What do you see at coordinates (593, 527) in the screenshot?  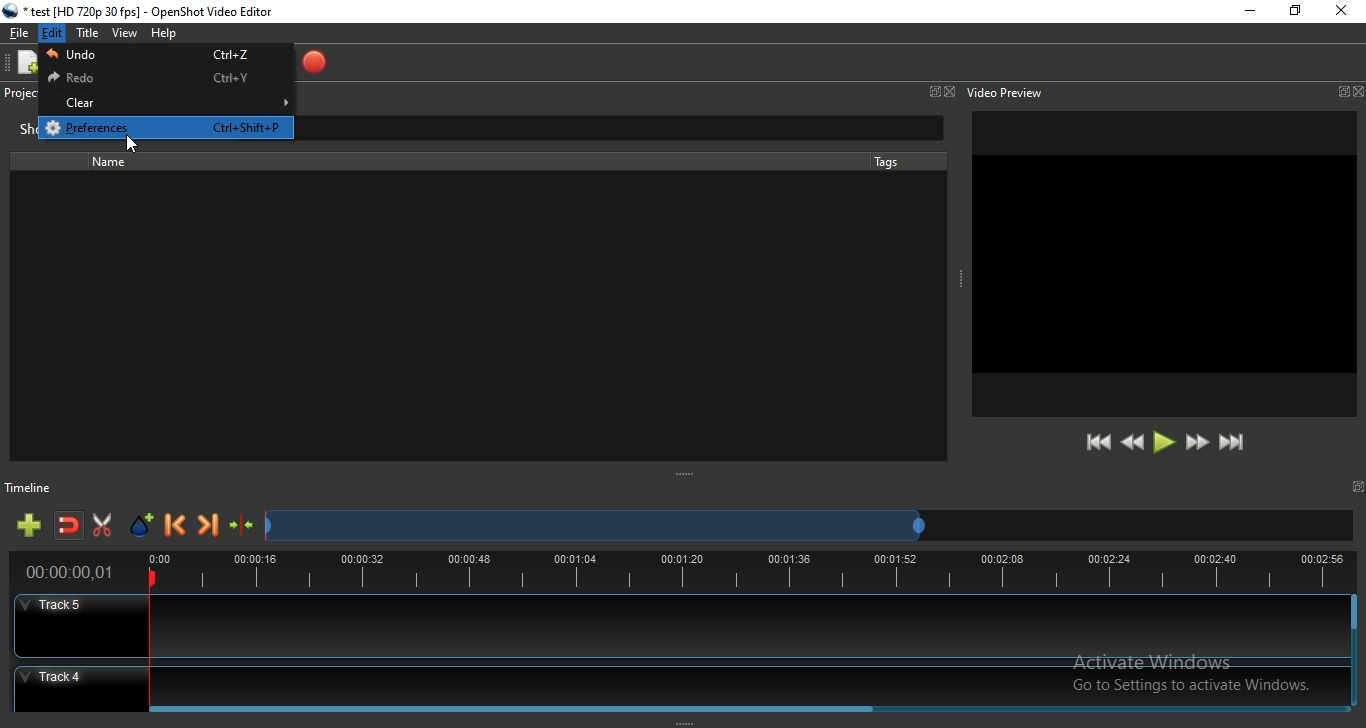 I see `Timeline scrub` at bounding box center [593, 527].